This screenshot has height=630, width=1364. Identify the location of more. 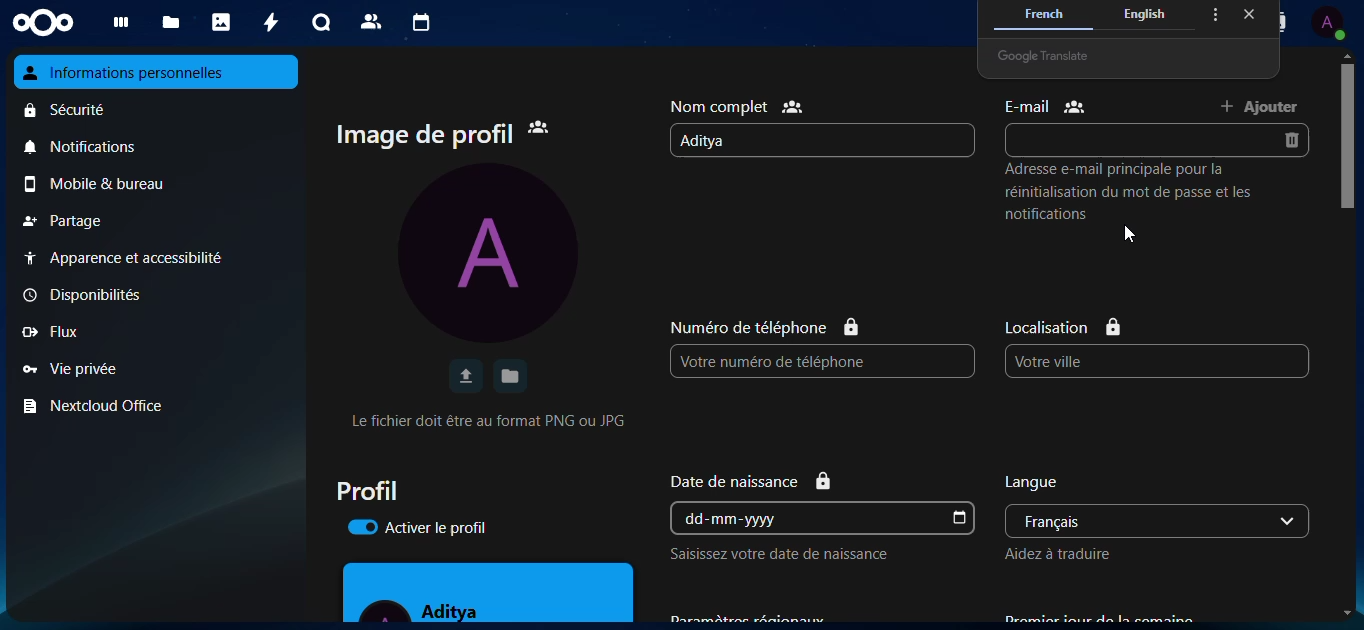
(1213, 14).